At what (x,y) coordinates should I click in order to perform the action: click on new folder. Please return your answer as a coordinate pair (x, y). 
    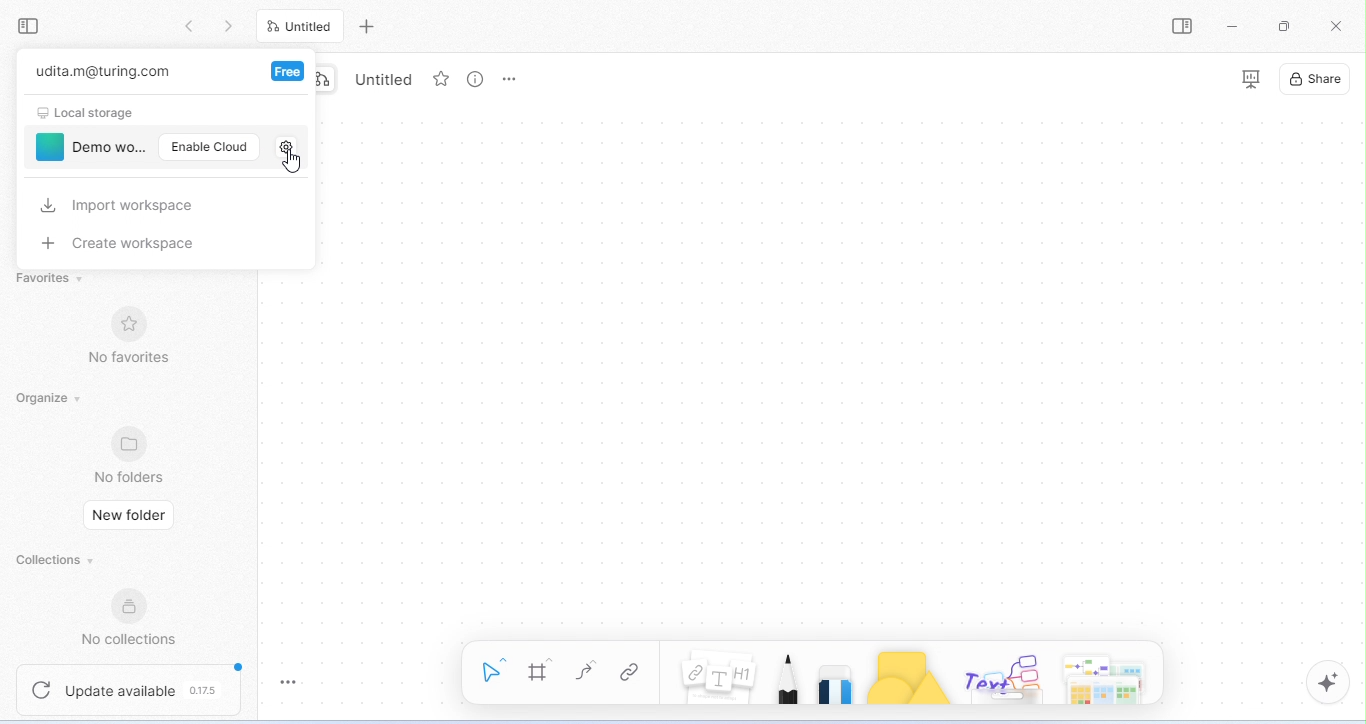
    Looking at the image, I should click on (131, 516).